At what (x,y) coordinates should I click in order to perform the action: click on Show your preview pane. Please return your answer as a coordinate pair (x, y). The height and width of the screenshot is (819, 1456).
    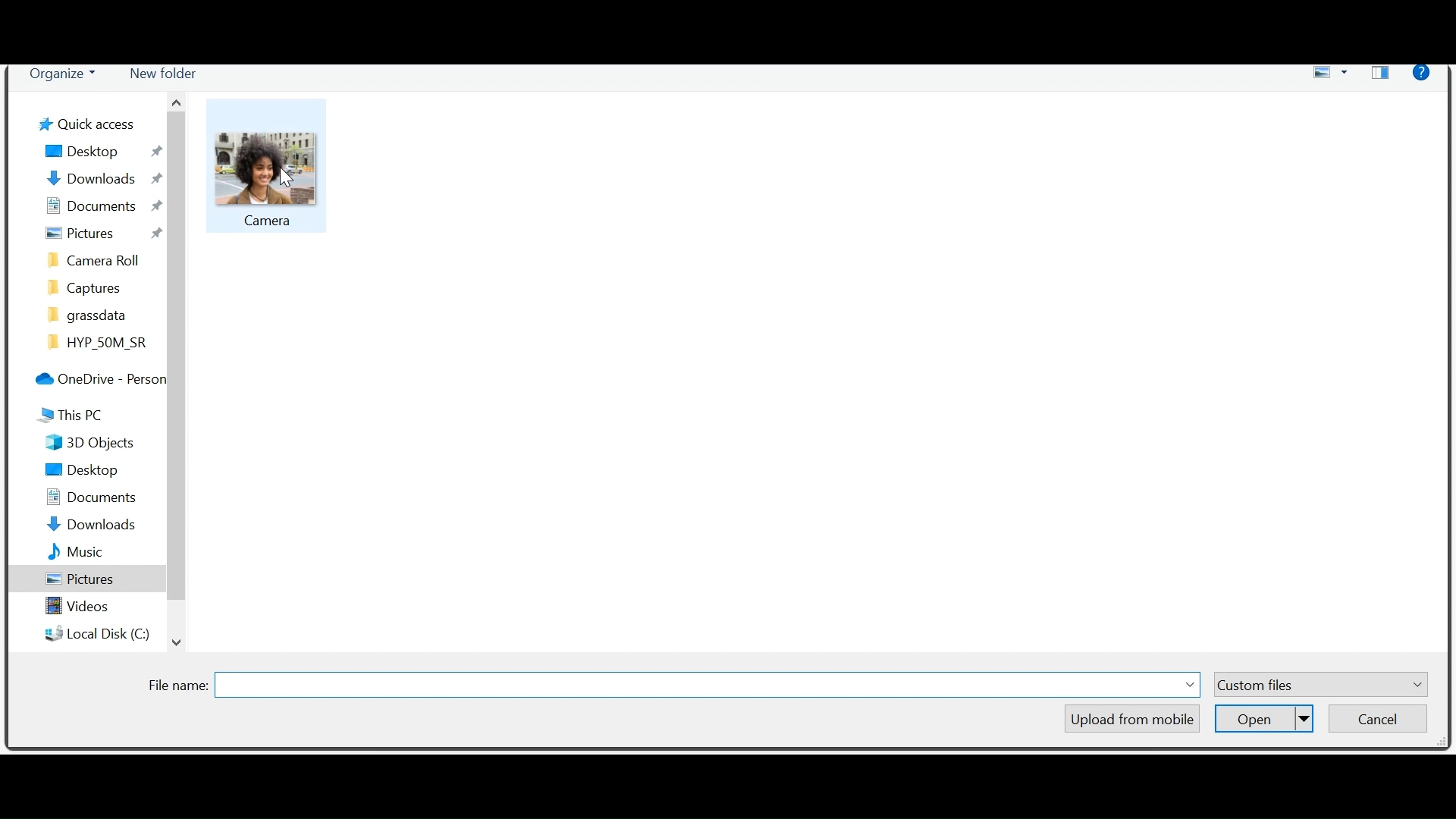
    Looking at the image, I should click on (1376, 74).